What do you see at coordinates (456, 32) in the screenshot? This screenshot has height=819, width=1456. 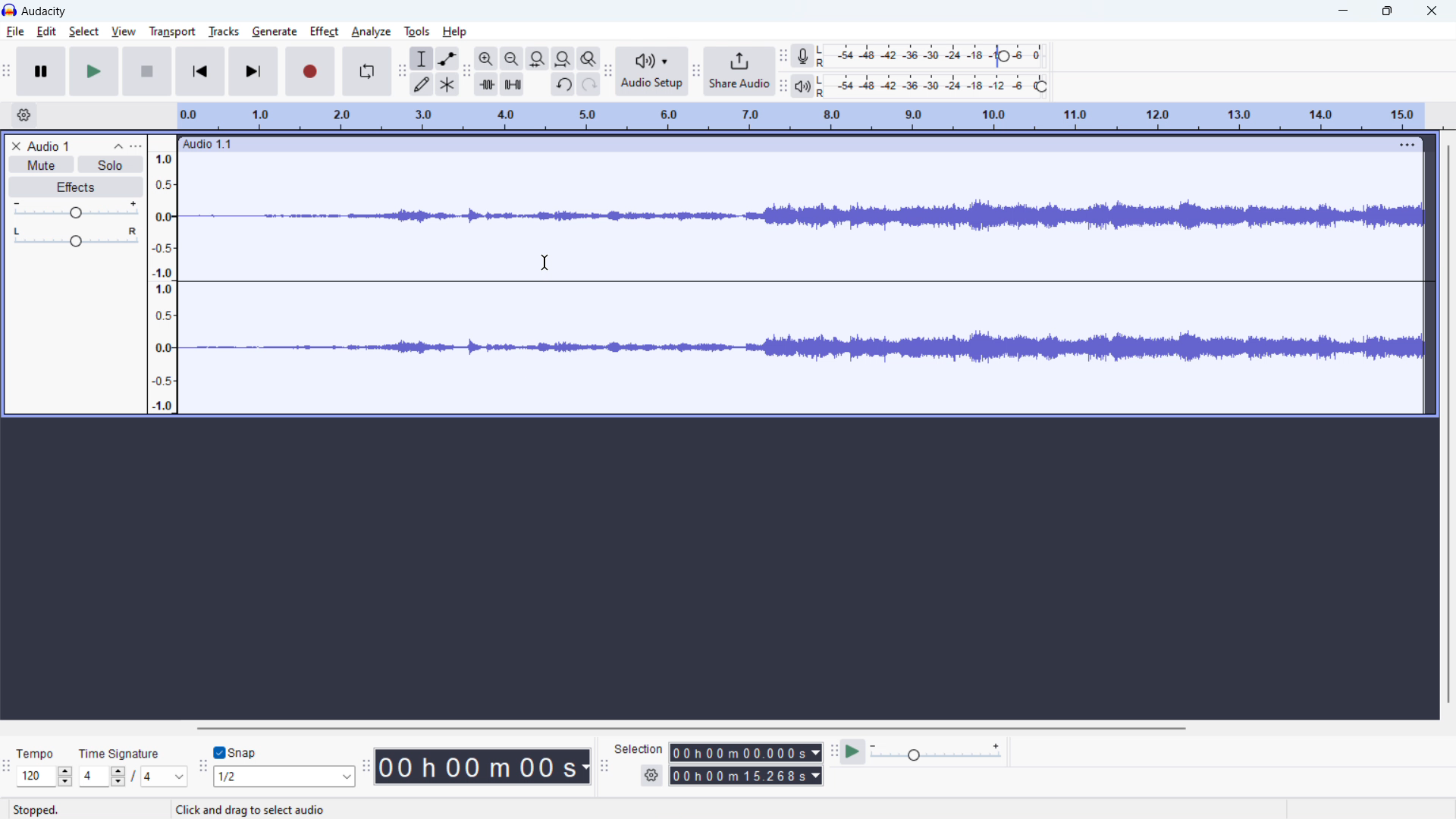 I see `help` at bounding box center [456, 32].